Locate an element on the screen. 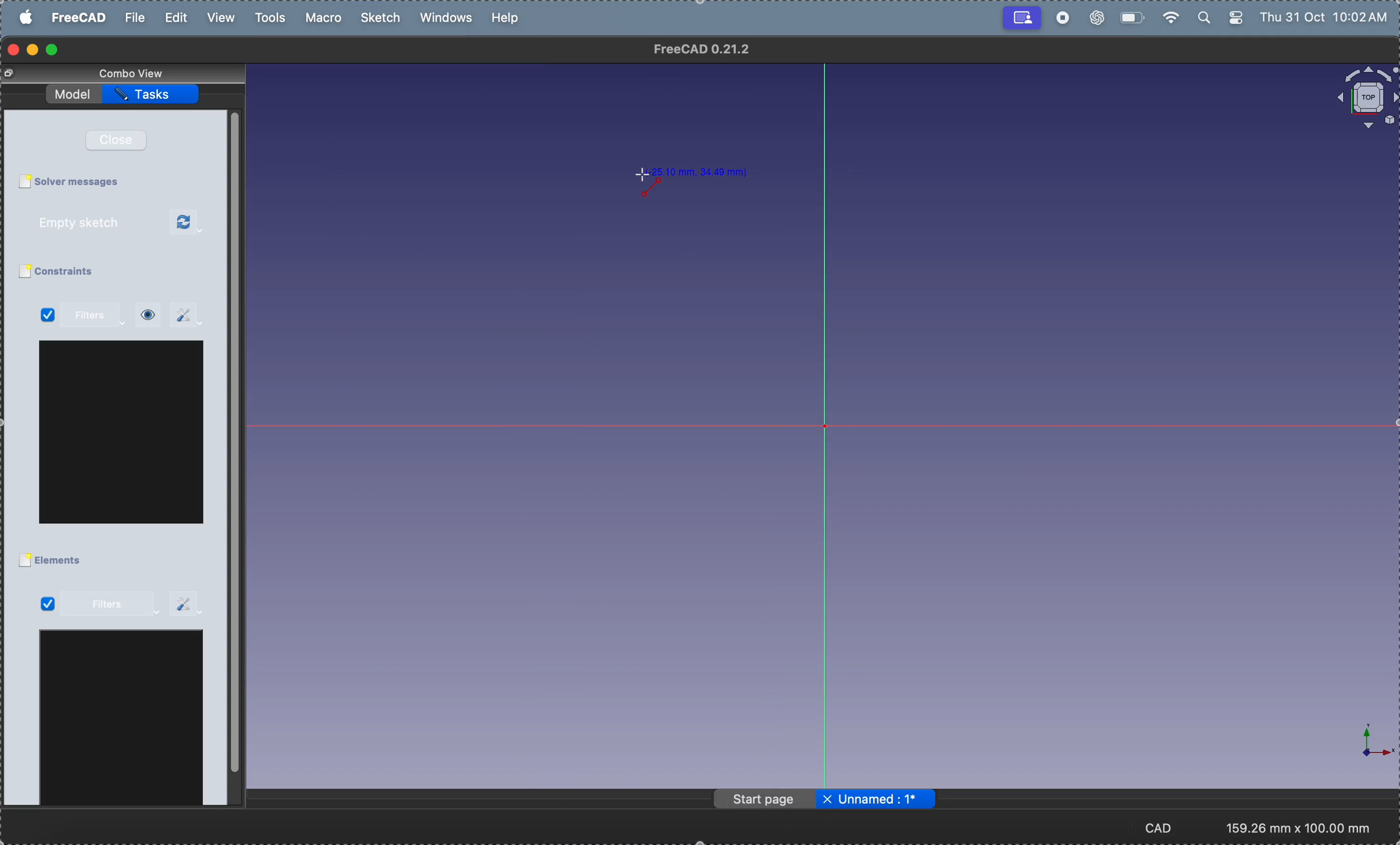  windows is located at coordinates (450, 19).